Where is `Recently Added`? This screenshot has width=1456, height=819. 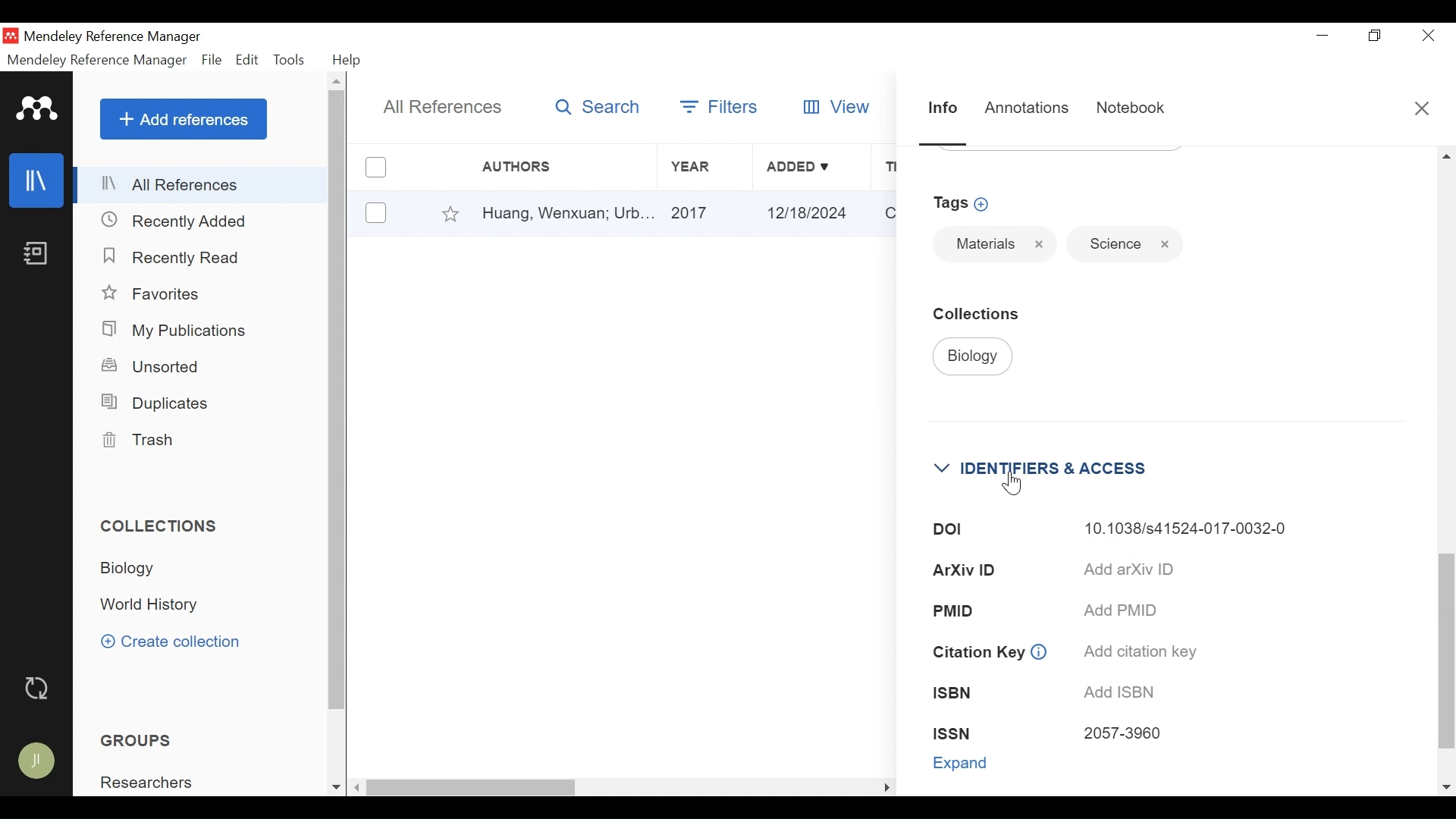
Recently Added is located at coordinates (178, 221).